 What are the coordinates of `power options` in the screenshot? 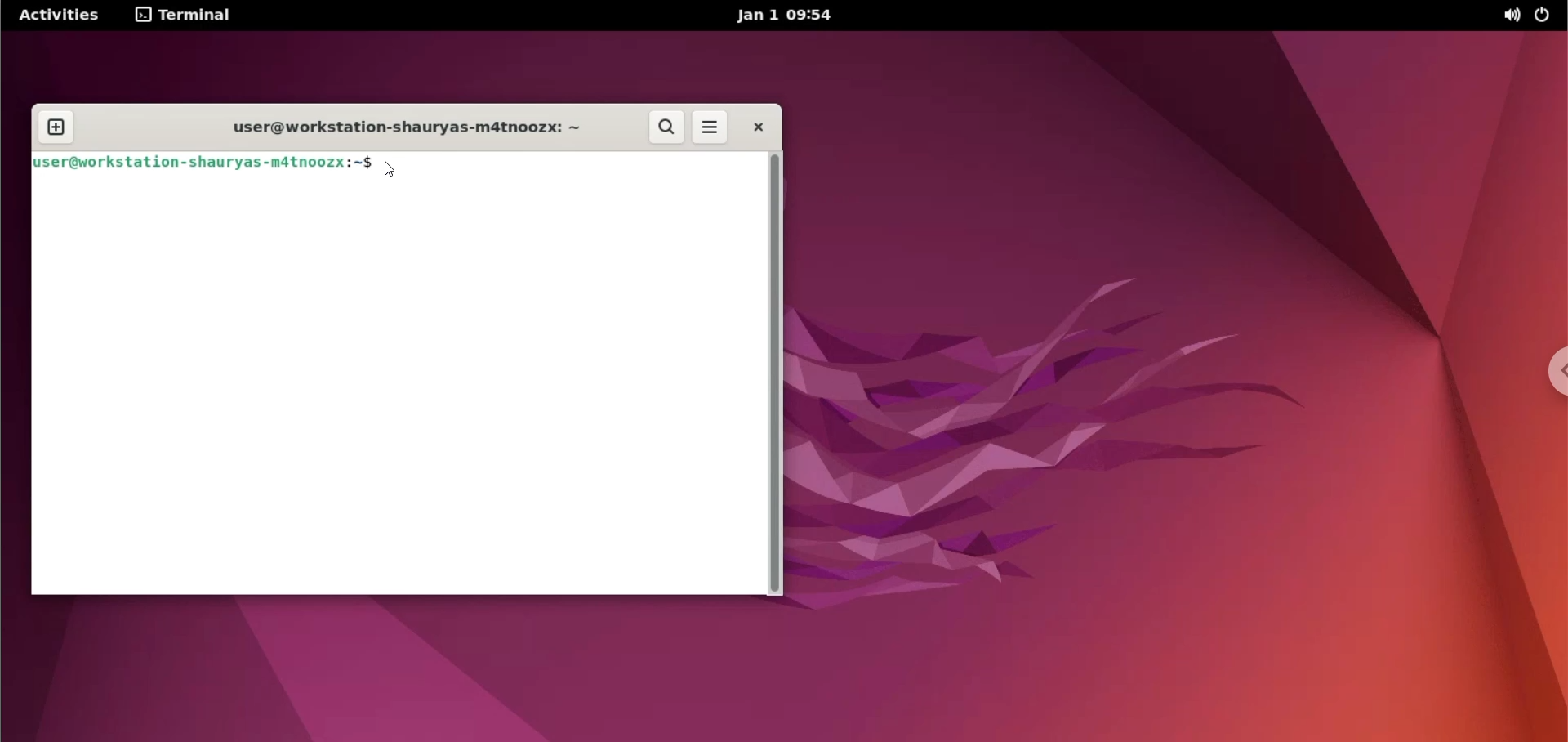 It's located at (1548, 16).